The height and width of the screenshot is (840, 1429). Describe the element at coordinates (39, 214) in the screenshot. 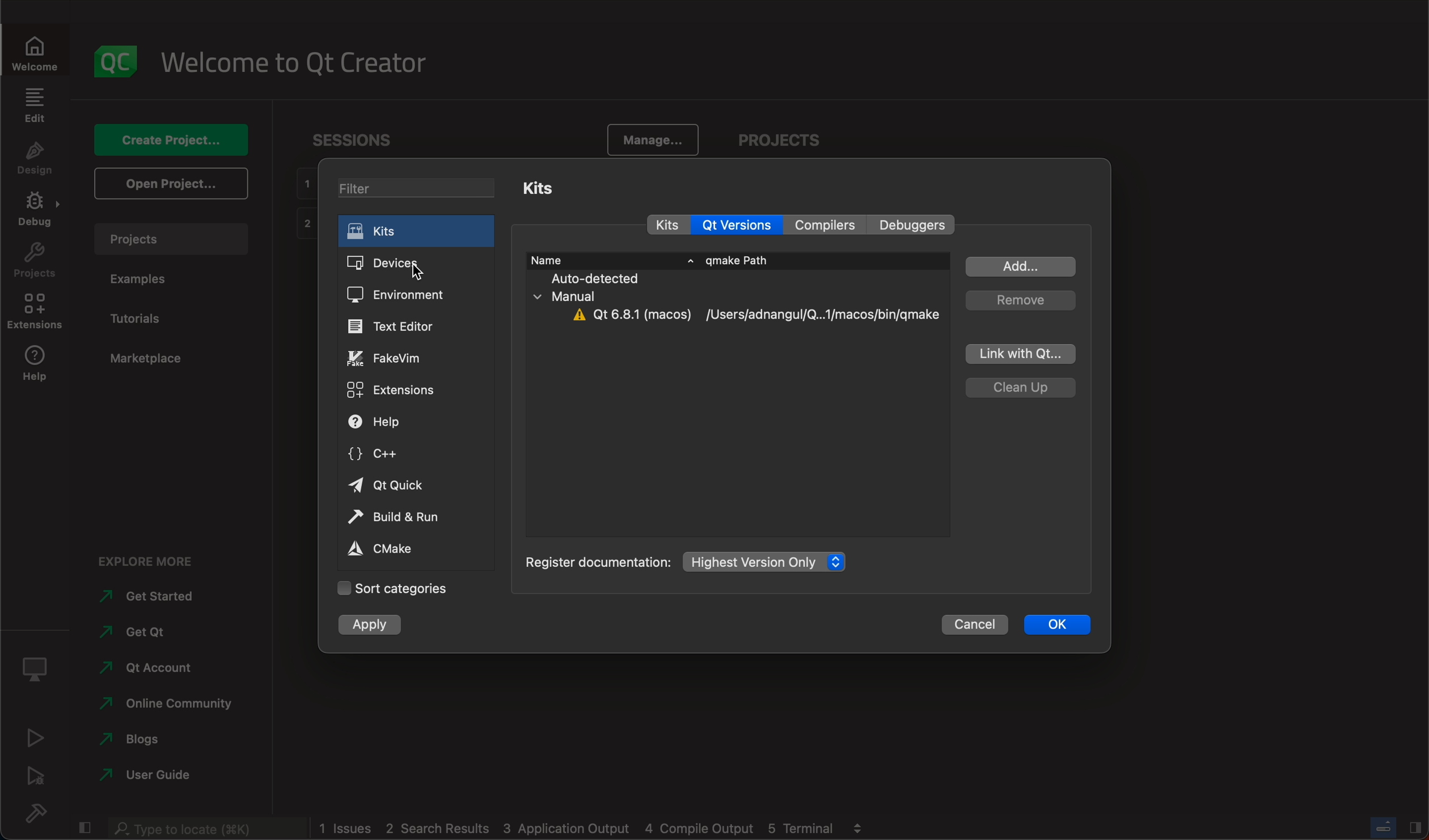

I see `debug` at that location.